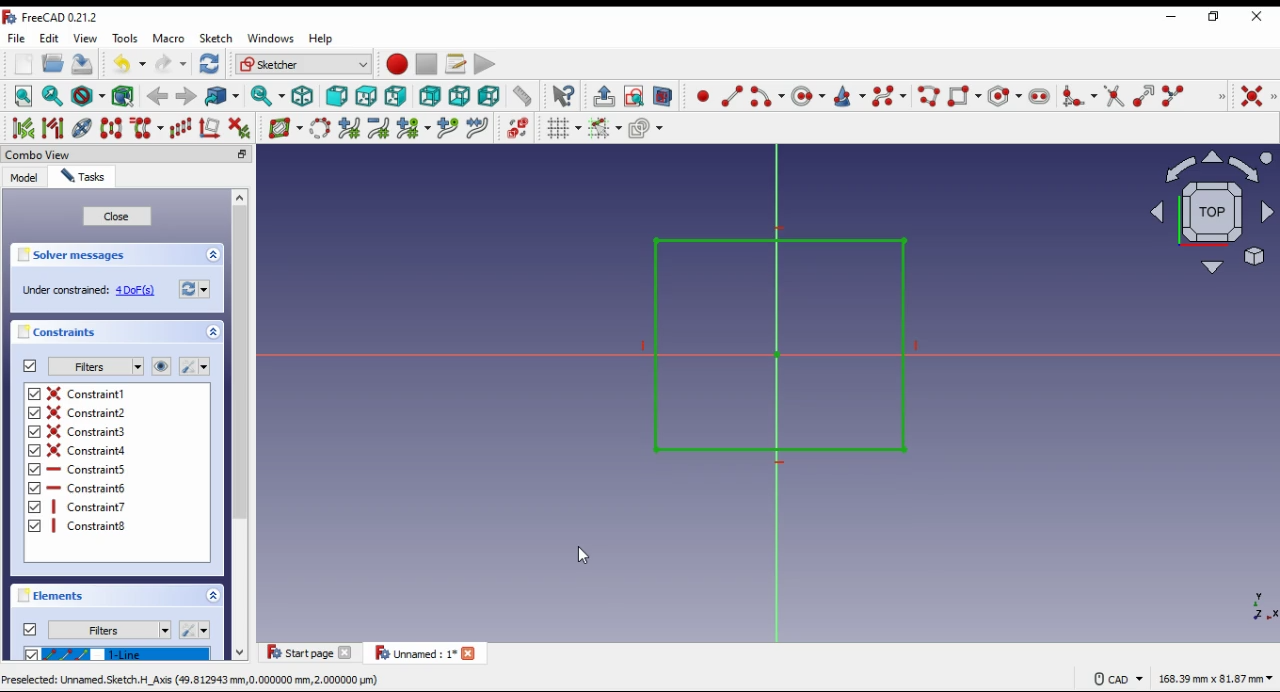 The height and width of the screenshot is (692, 1280). What do you see at coordinates (194, 628) in the screenshot?
I see `settings` at bounding box center [194, 628].